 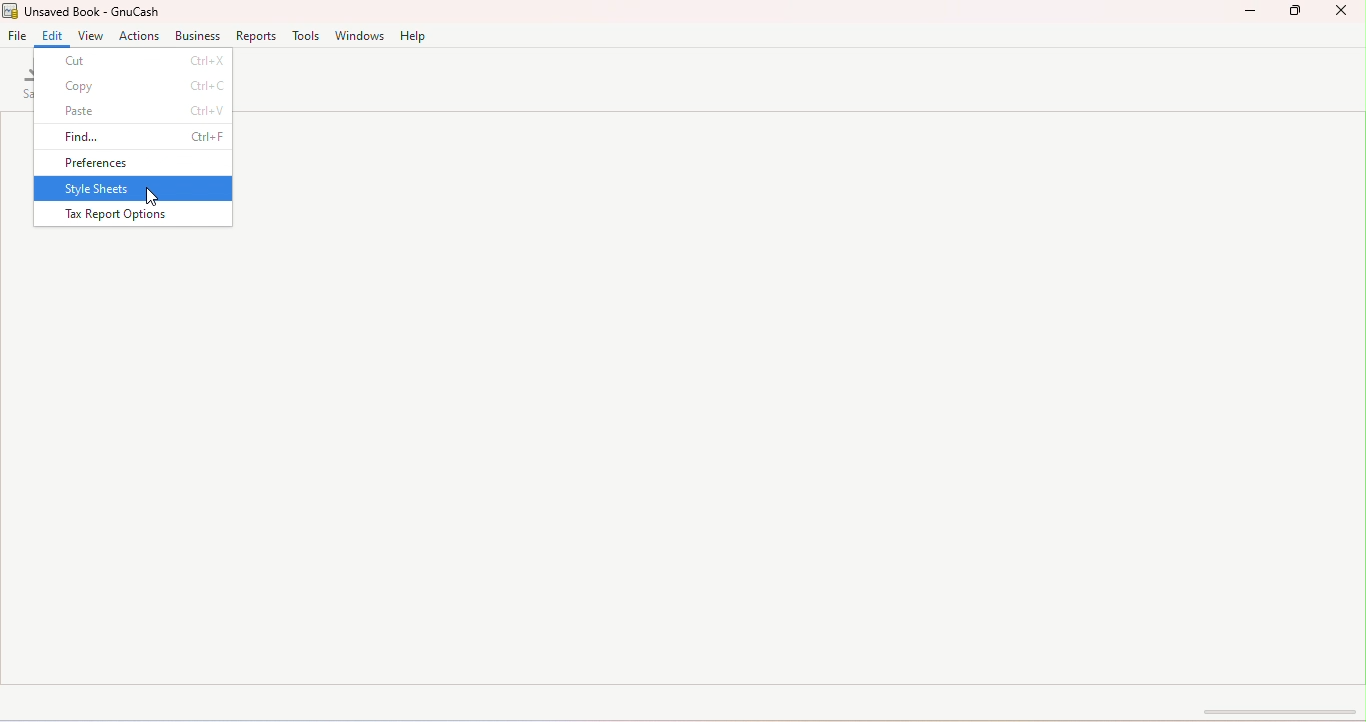 What do you see at coordinates (135, 190) in the screenshot?
I see `Style sheets` at bounding box center [135, 190].